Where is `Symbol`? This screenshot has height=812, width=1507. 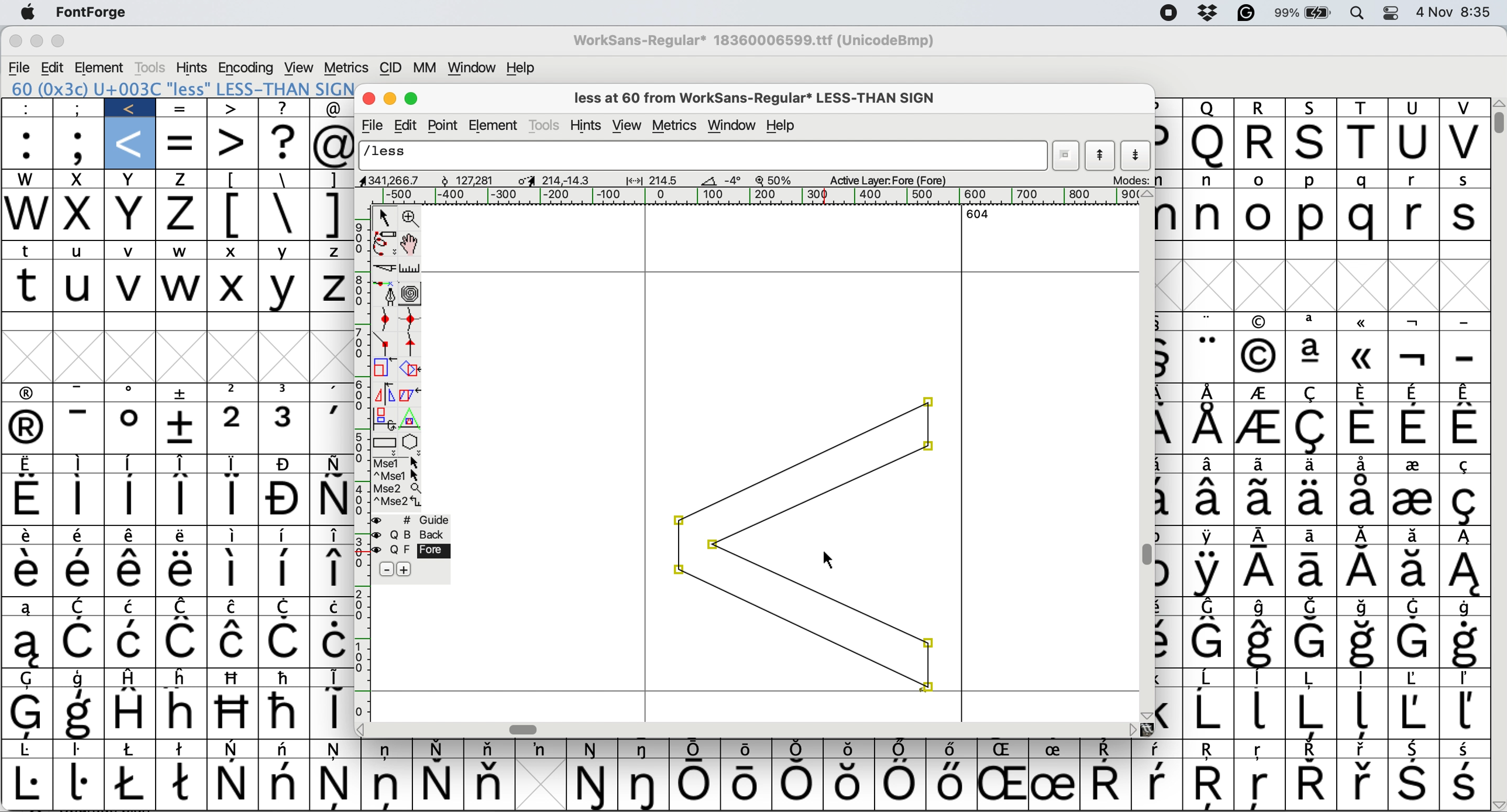 Symbol is located at coordinates (486, 783).